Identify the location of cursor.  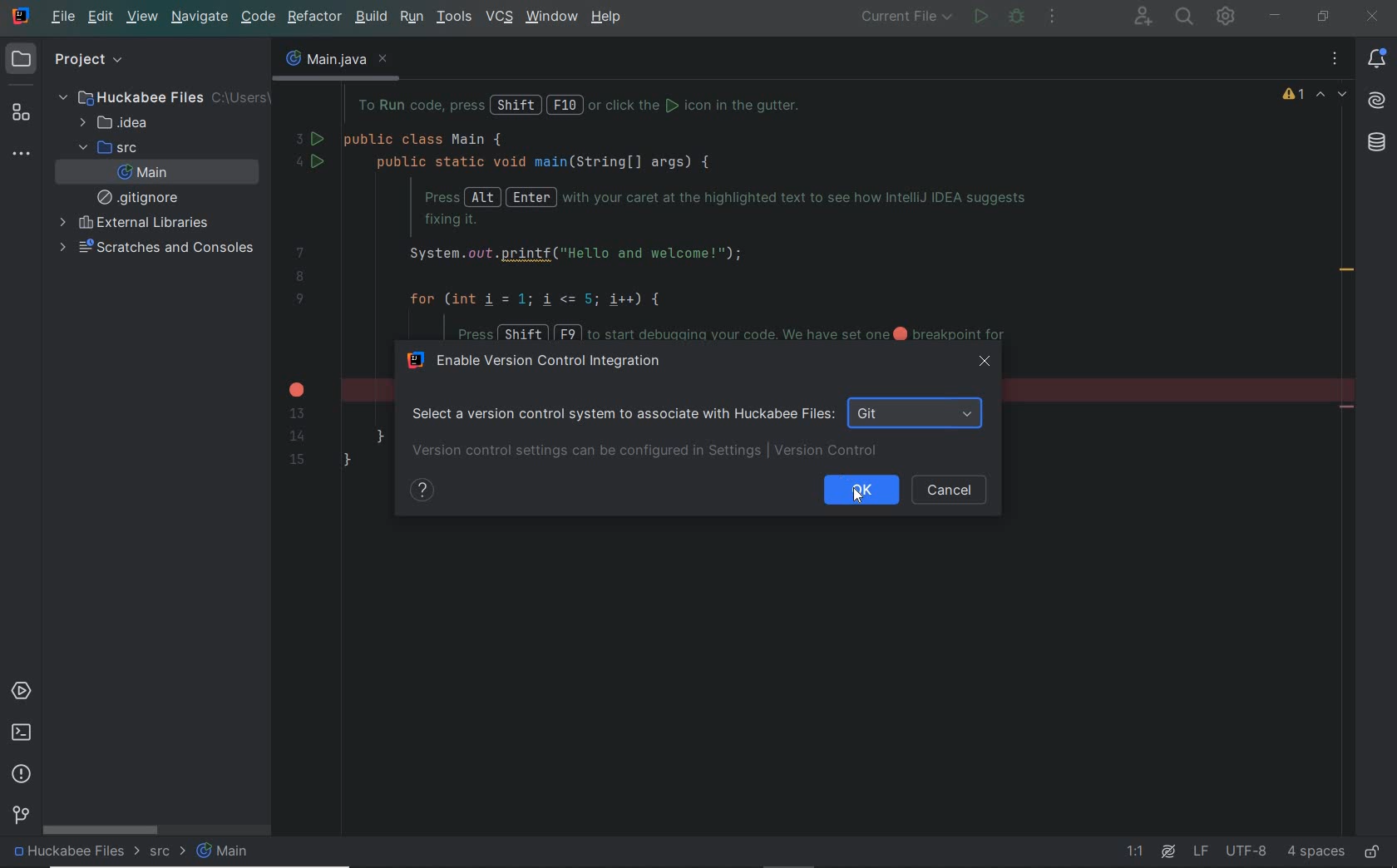
(863, 494).